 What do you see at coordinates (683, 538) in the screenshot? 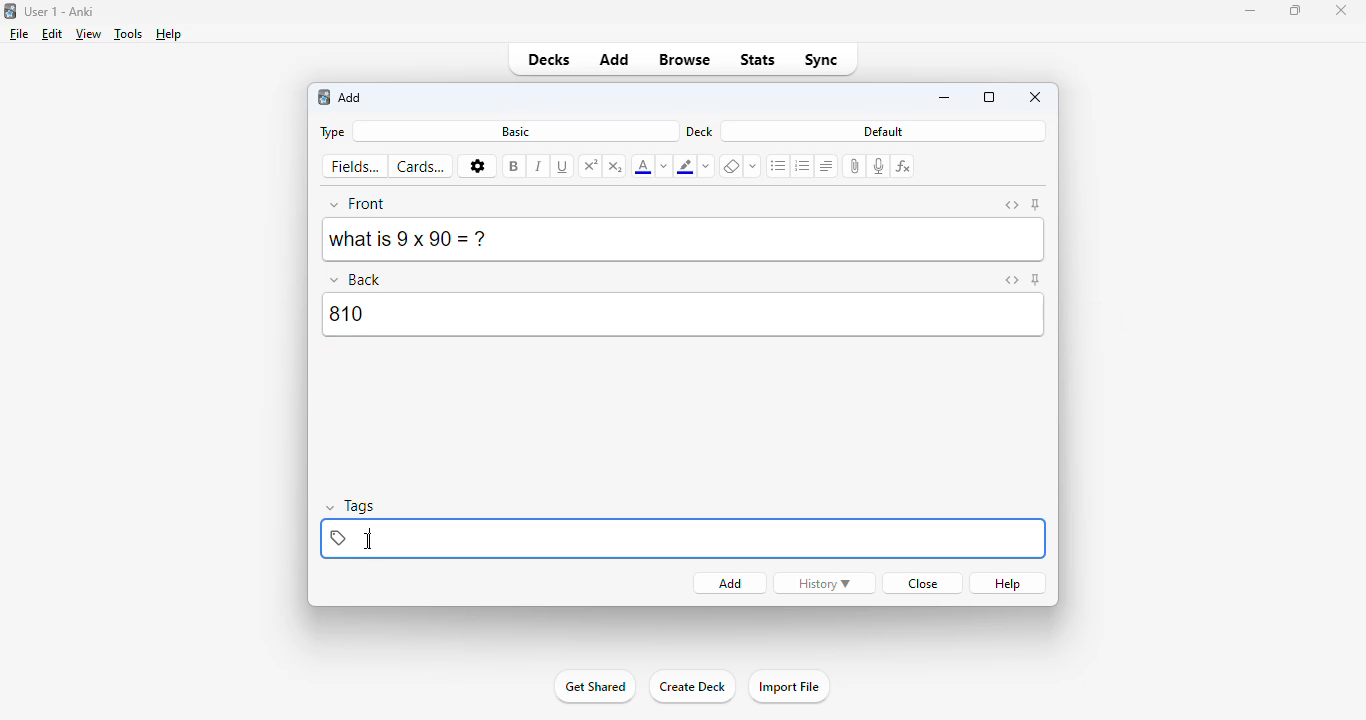
I see `adding tag` at bounding box center [683, 538].